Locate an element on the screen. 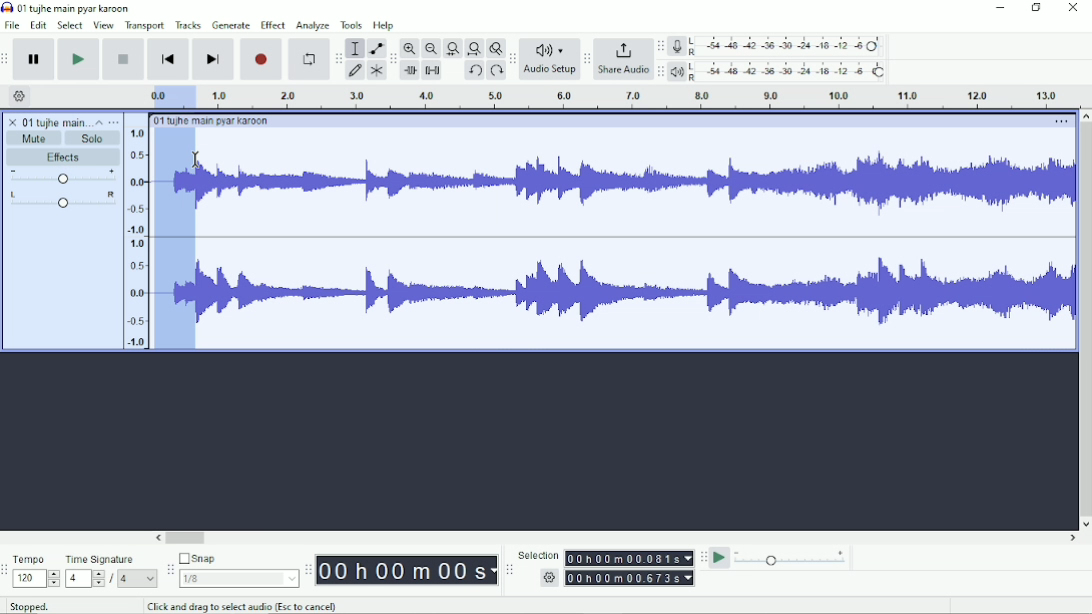 The width and height of the screenshot is (1092, 614). Audacity time toolbar is located at coordinates (307, 570).